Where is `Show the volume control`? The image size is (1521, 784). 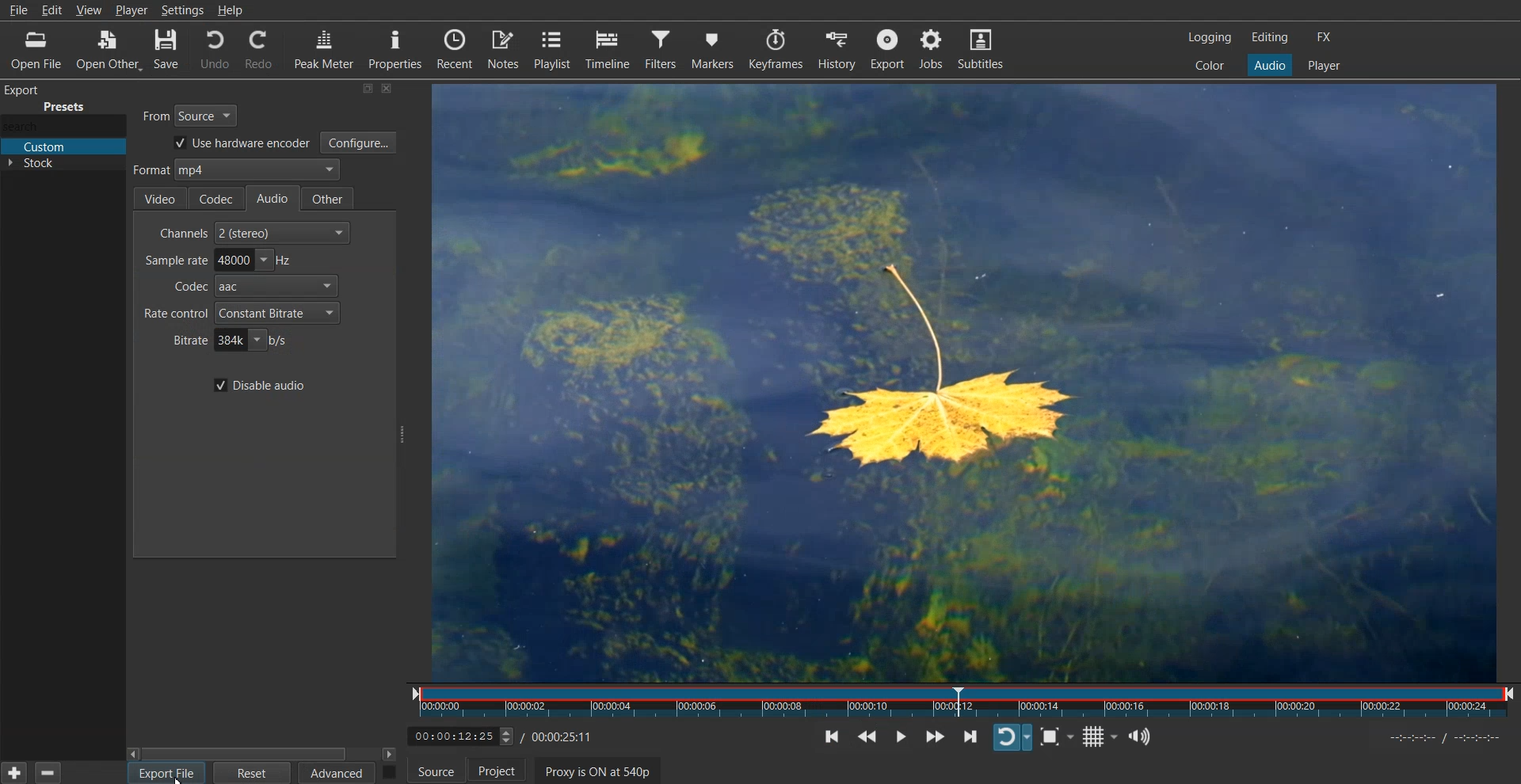 Show the volume control is located at coordinates (1144, 736).